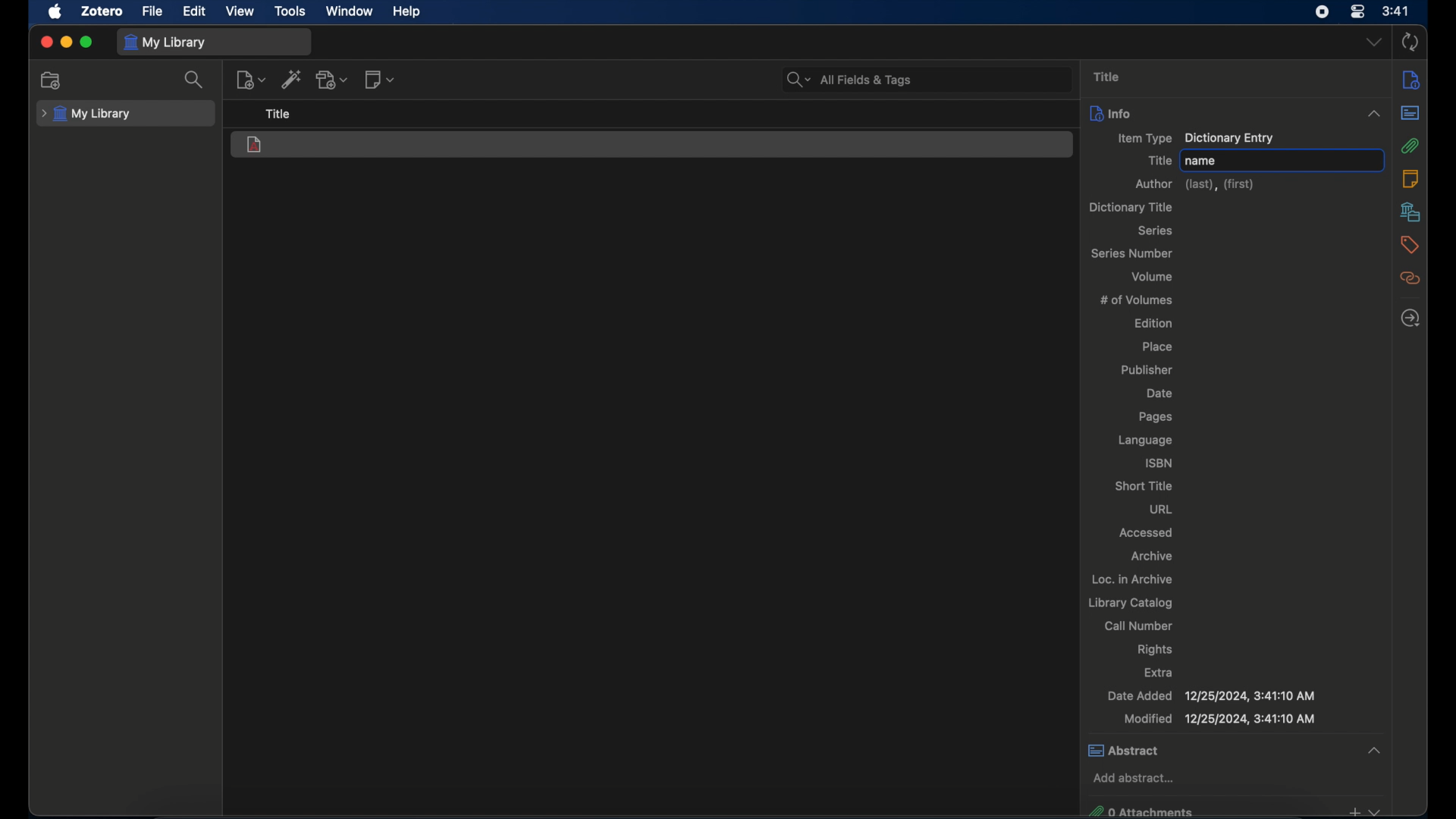 The height and width of the screenshot is (819, 1456). Describe the element at coordinates (1138, 626) in the screenshot. I see `call number` at that location.